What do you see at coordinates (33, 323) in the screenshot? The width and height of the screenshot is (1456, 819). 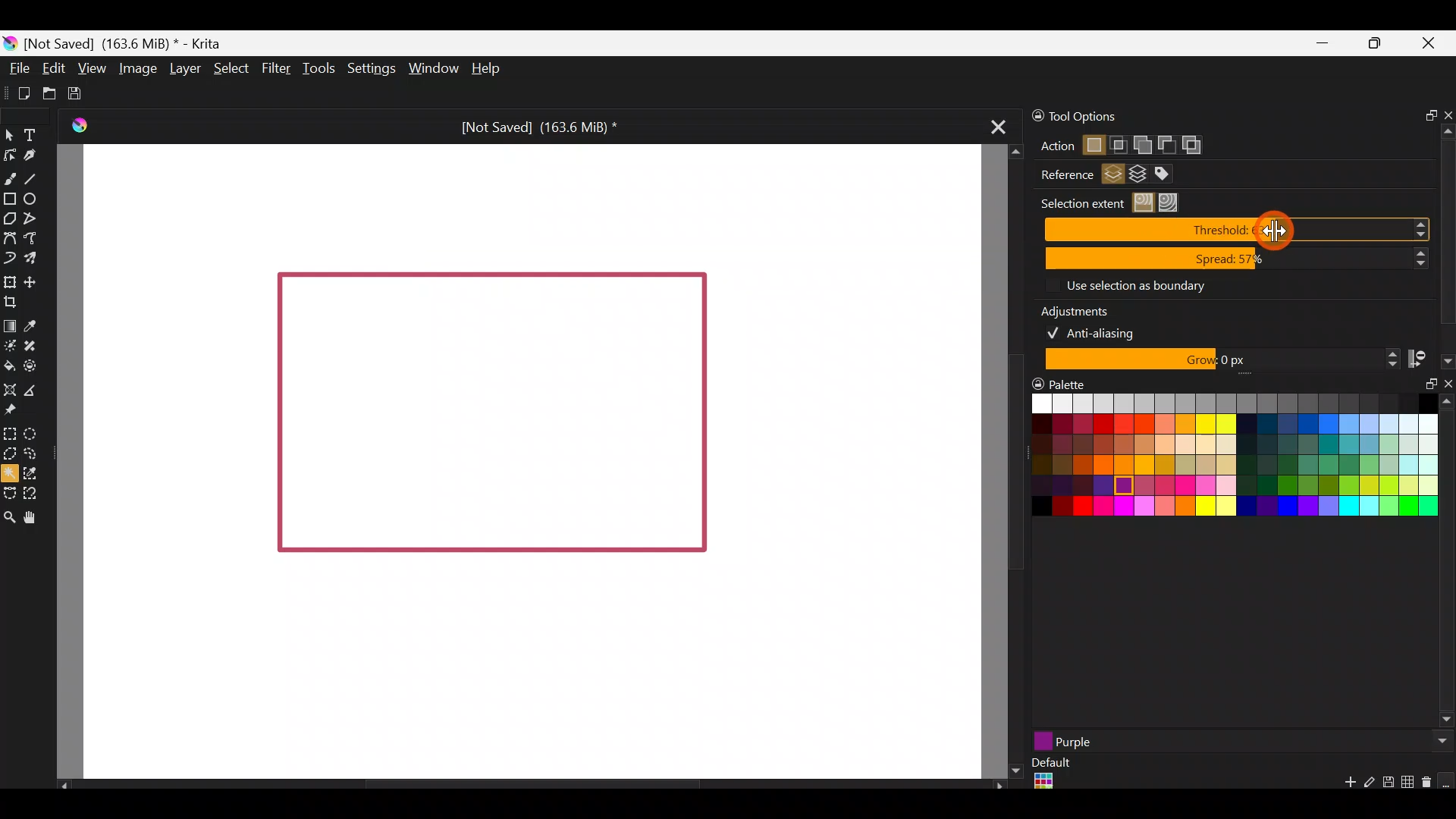 I see `Sample a colour from the image/current layer` at bounding box center [33, 323].